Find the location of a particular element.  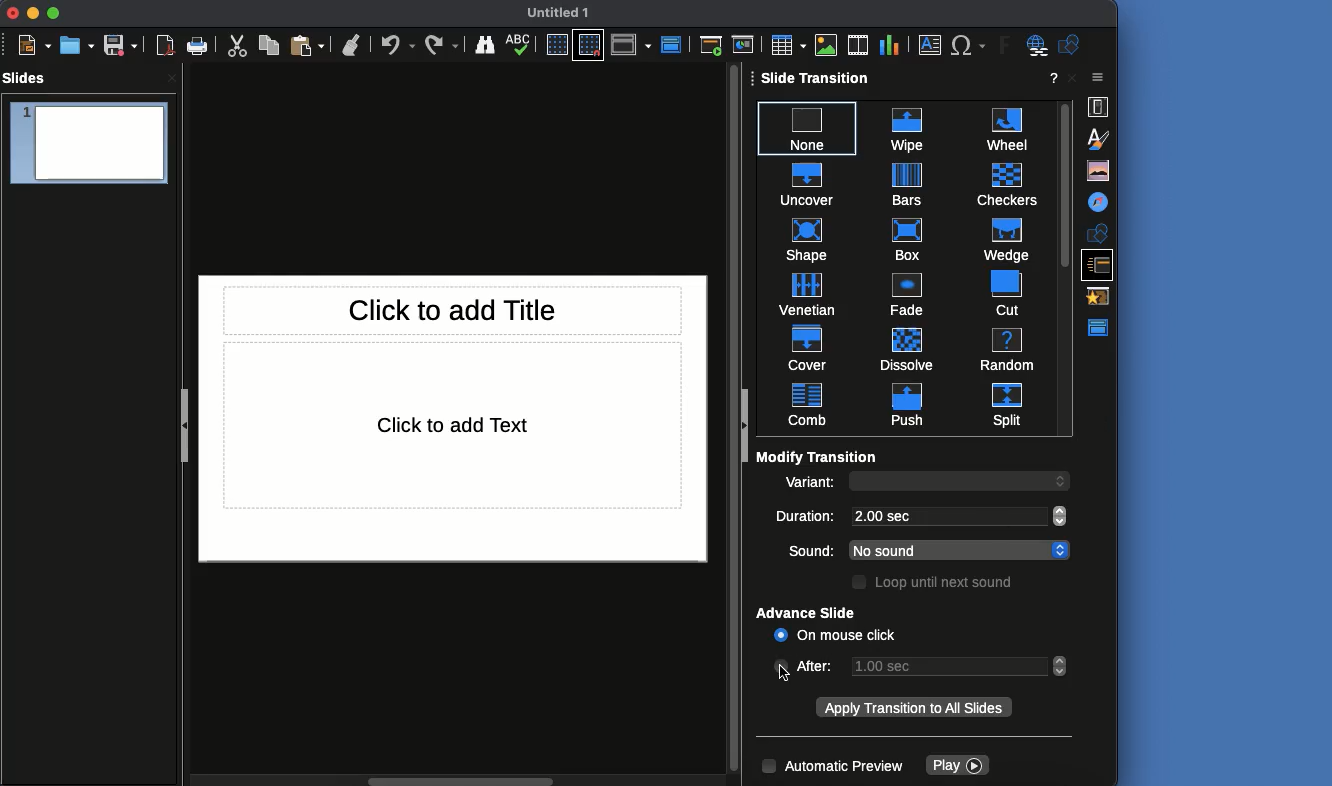

Start from current slide is located at coordinates (743, 44).